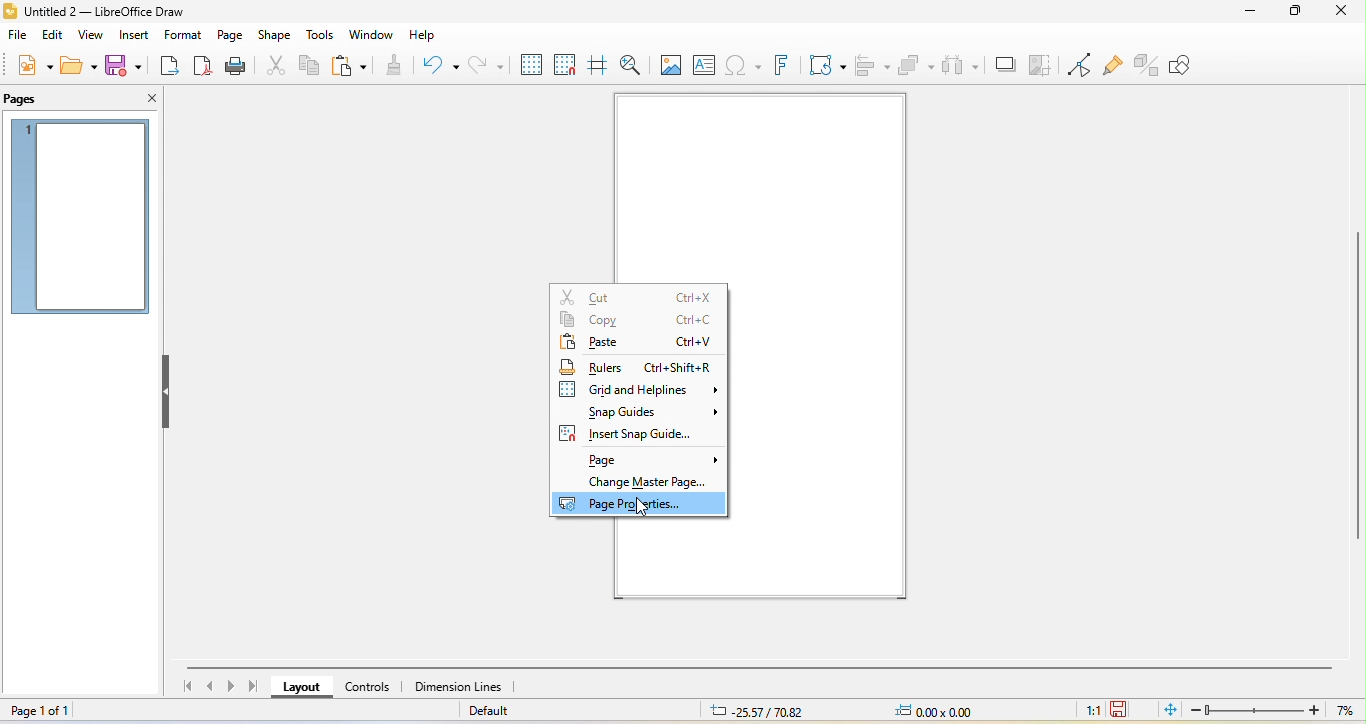  What do you see at coordinates (642, 506) in the screenshot?
I see `page properties` at bounding box center [642, 506].